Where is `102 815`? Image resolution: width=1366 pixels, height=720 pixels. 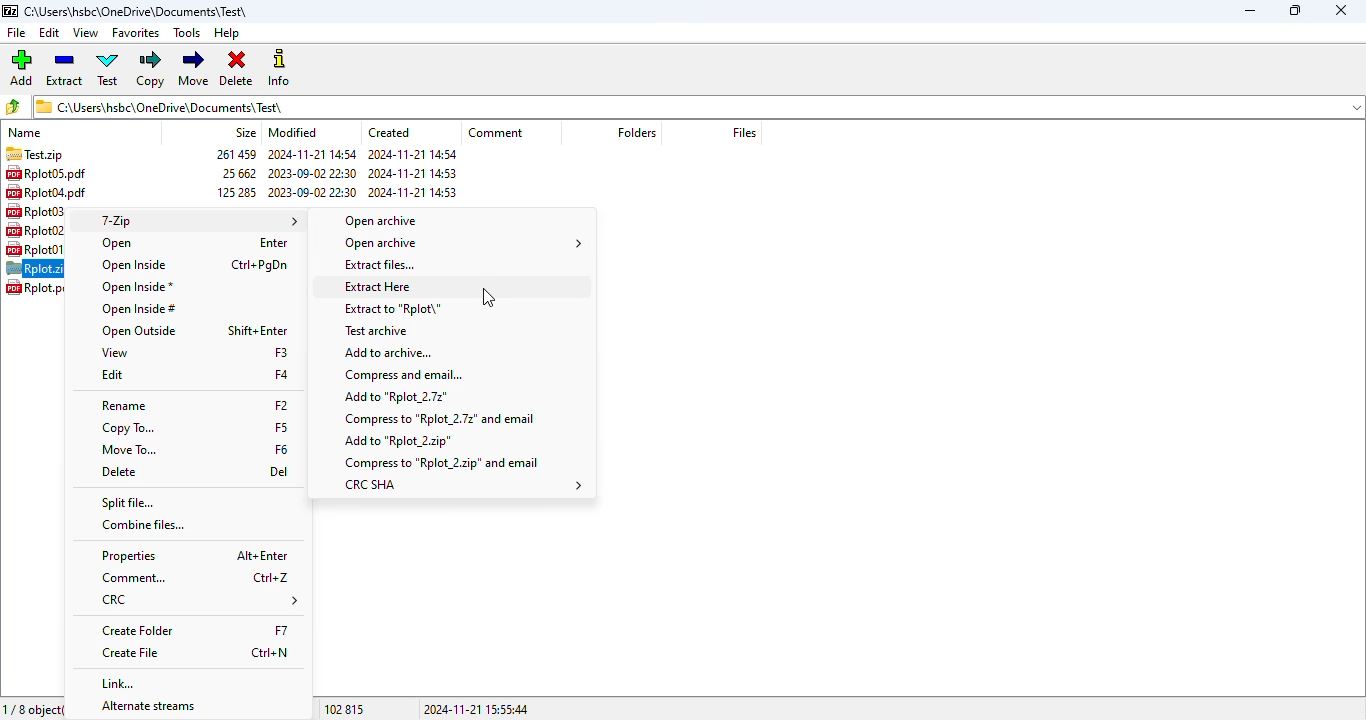 102 815 is located at coordinates (345, 709).